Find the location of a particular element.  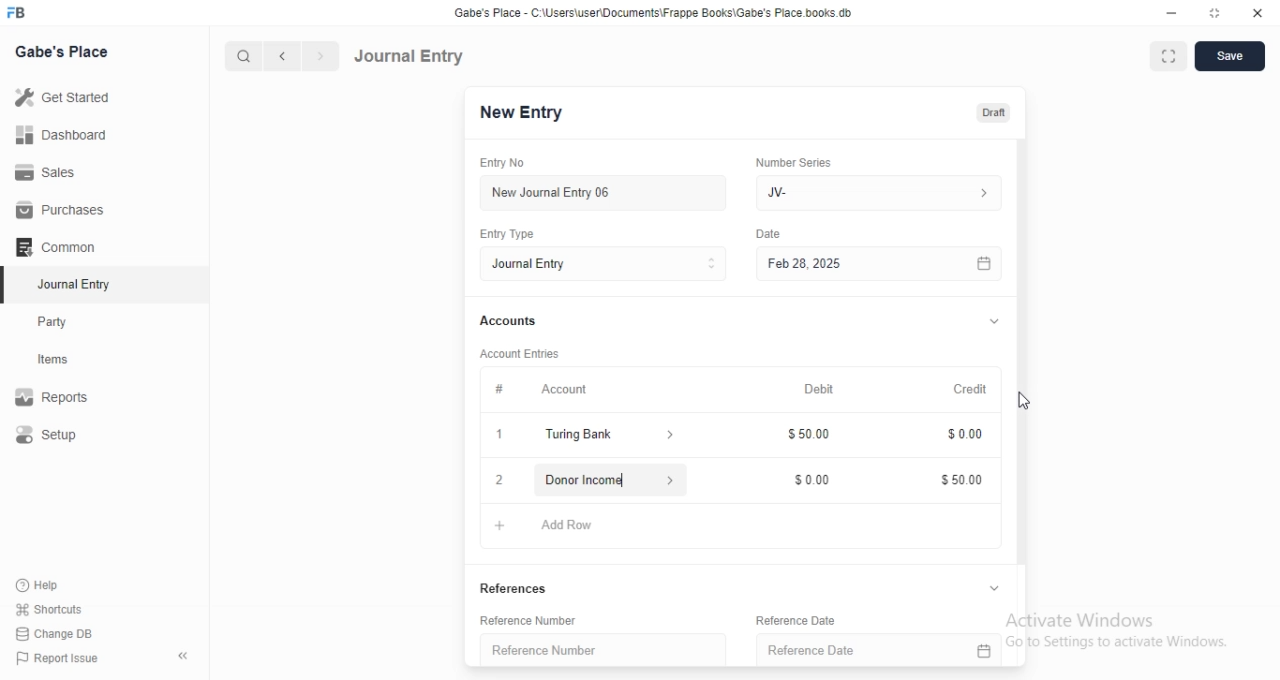

Get Started is located at coordinates (67, 97).